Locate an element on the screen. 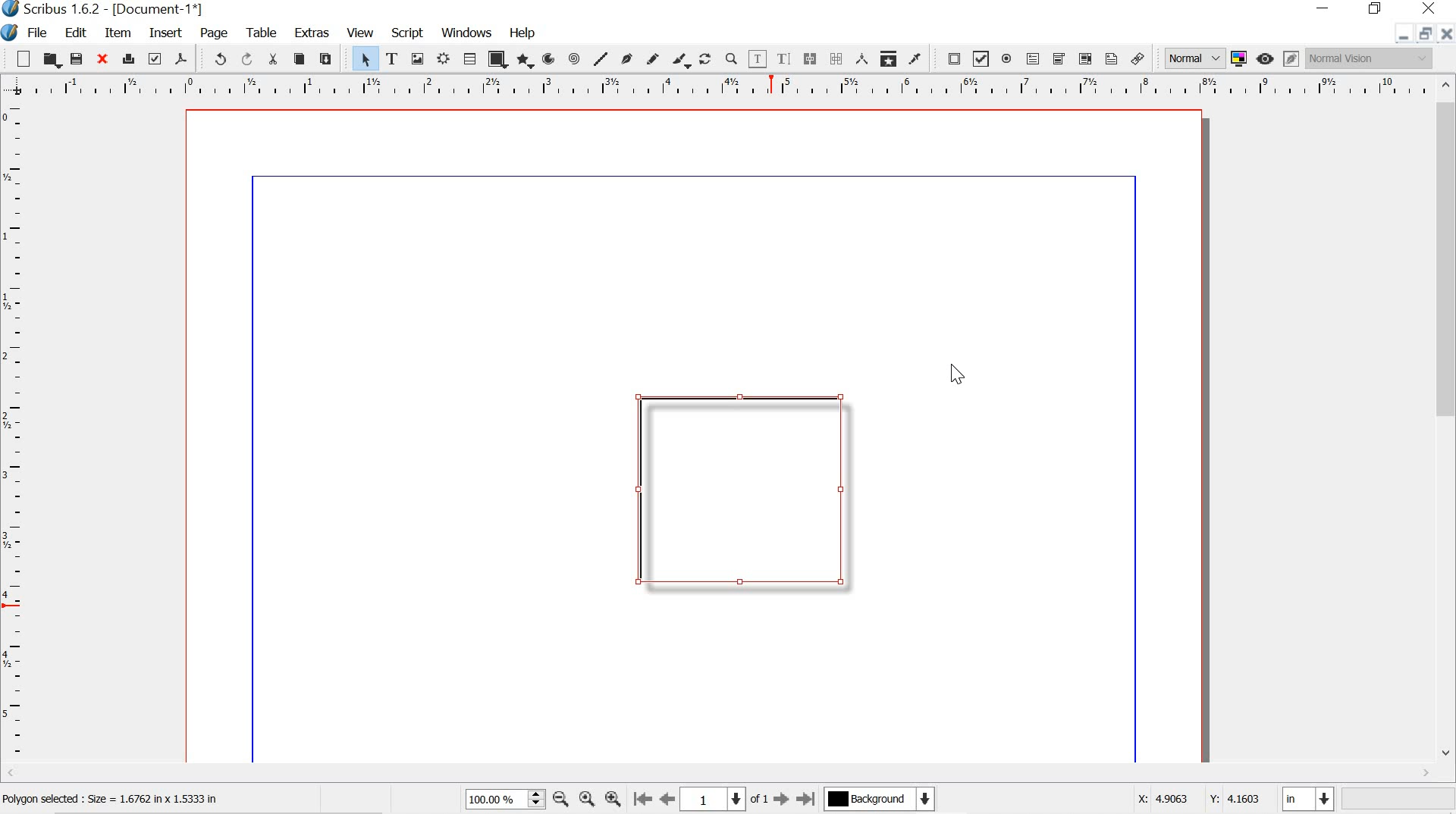  WINDOWS is located at coordinates (466, 32).